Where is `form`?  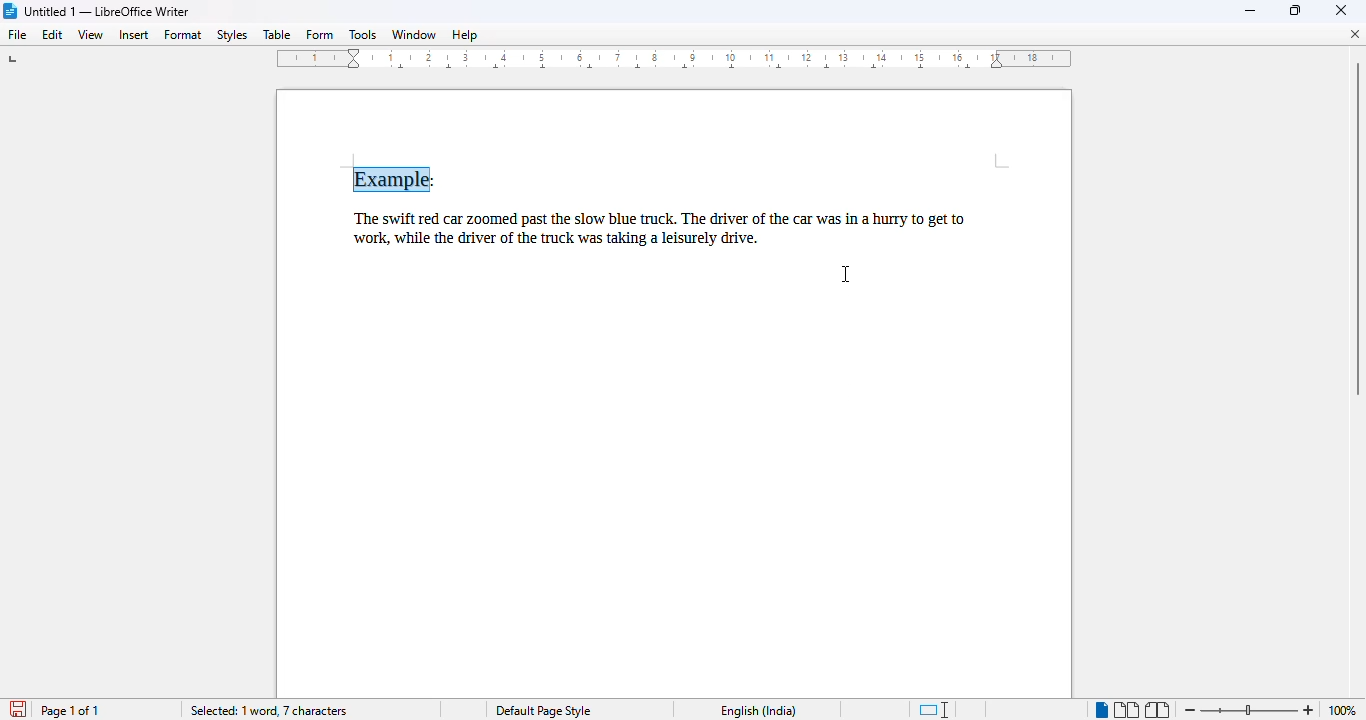
form is located at coordinates (320, 35).